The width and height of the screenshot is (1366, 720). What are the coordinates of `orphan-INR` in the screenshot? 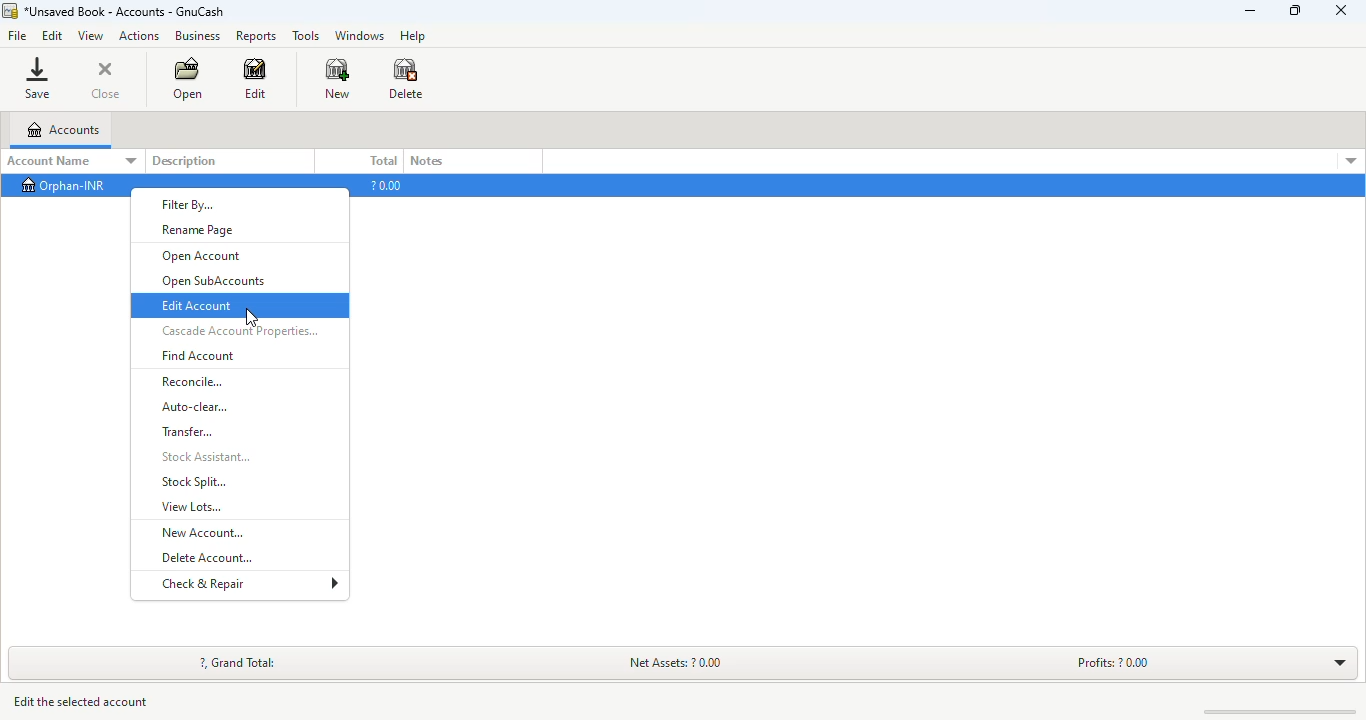 It's located at (65, 185).